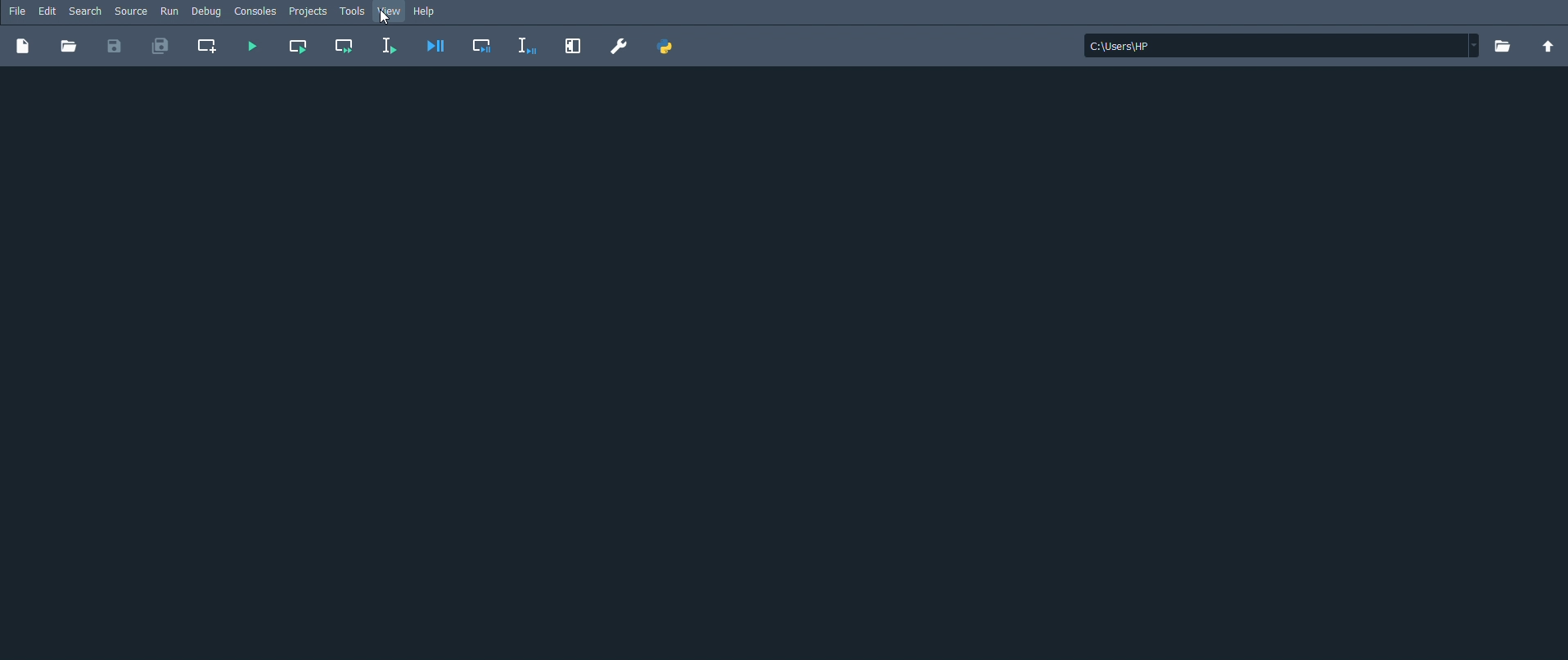 The image size is (1568, 660). I want to click on Open file, so click(69, 47).